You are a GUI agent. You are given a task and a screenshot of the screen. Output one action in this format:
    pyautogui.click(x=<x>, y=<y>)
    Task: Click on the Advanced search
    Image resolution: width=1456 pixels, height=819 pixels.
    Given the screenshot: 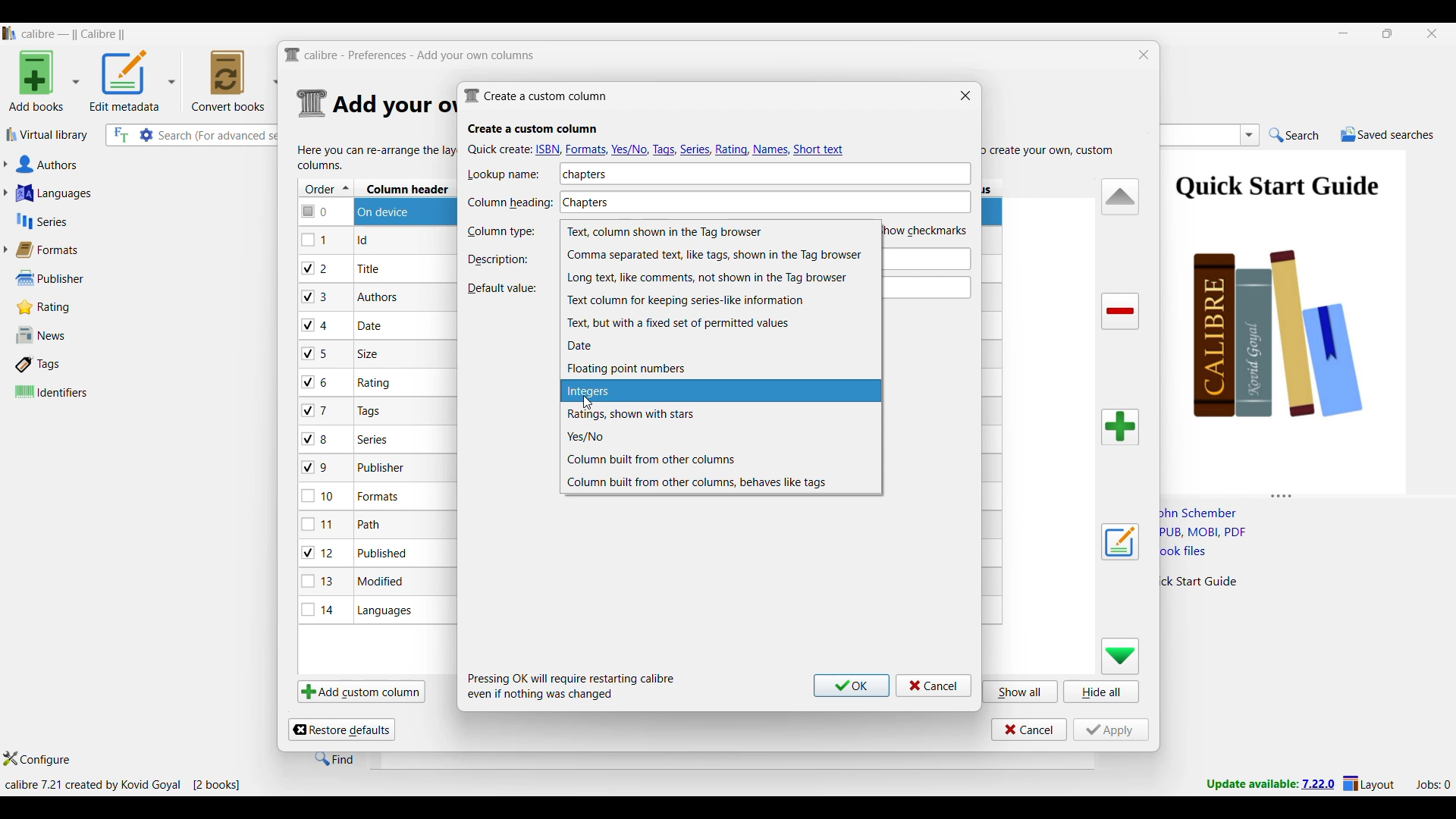 What is the action you would take?
    pyautogui.click(x=146, y=135)
    